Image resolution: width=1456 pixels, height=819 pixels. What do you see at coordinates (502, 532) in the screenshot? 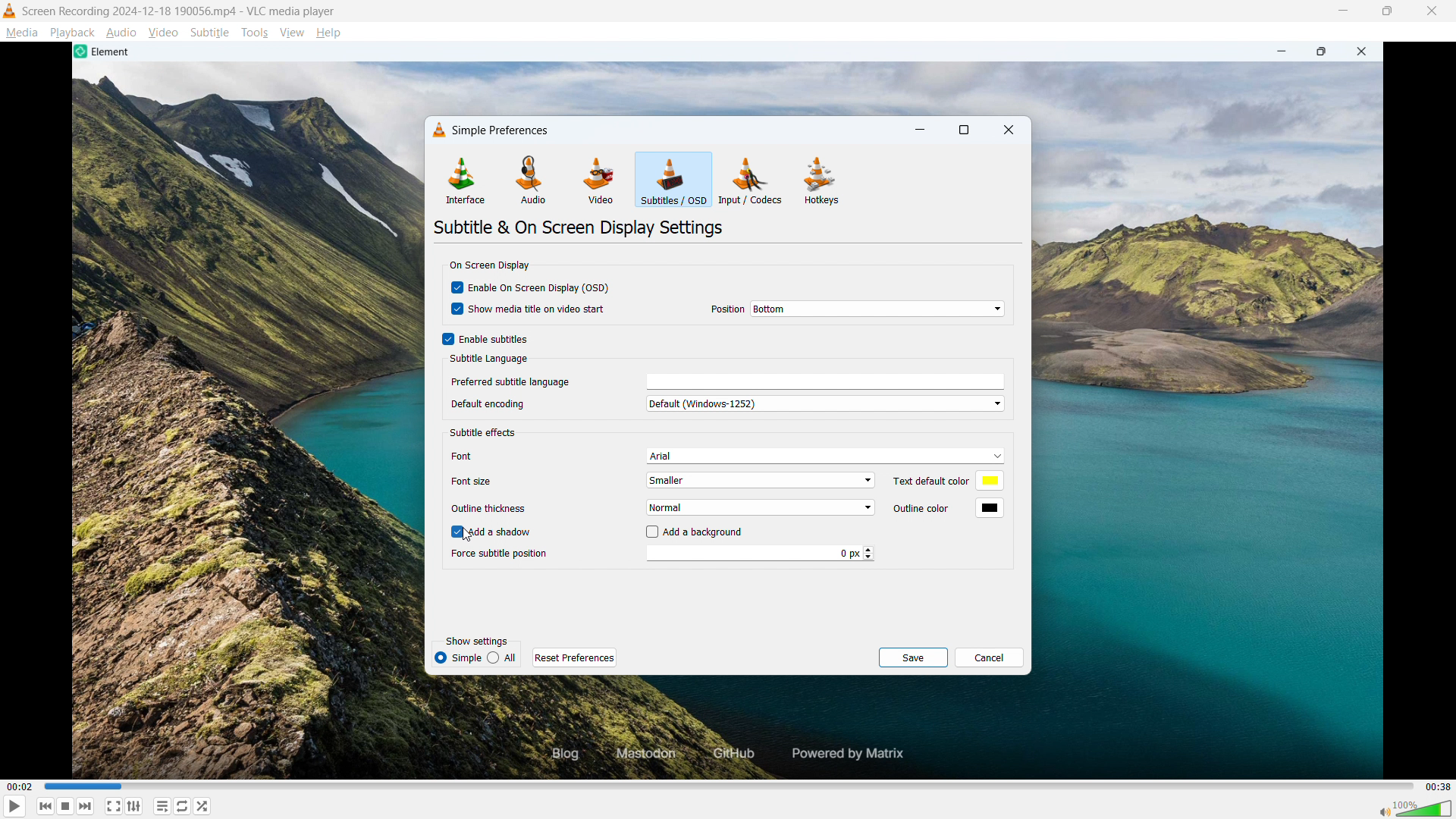
I see `Add shadow ` at bounding box center [502, 532].